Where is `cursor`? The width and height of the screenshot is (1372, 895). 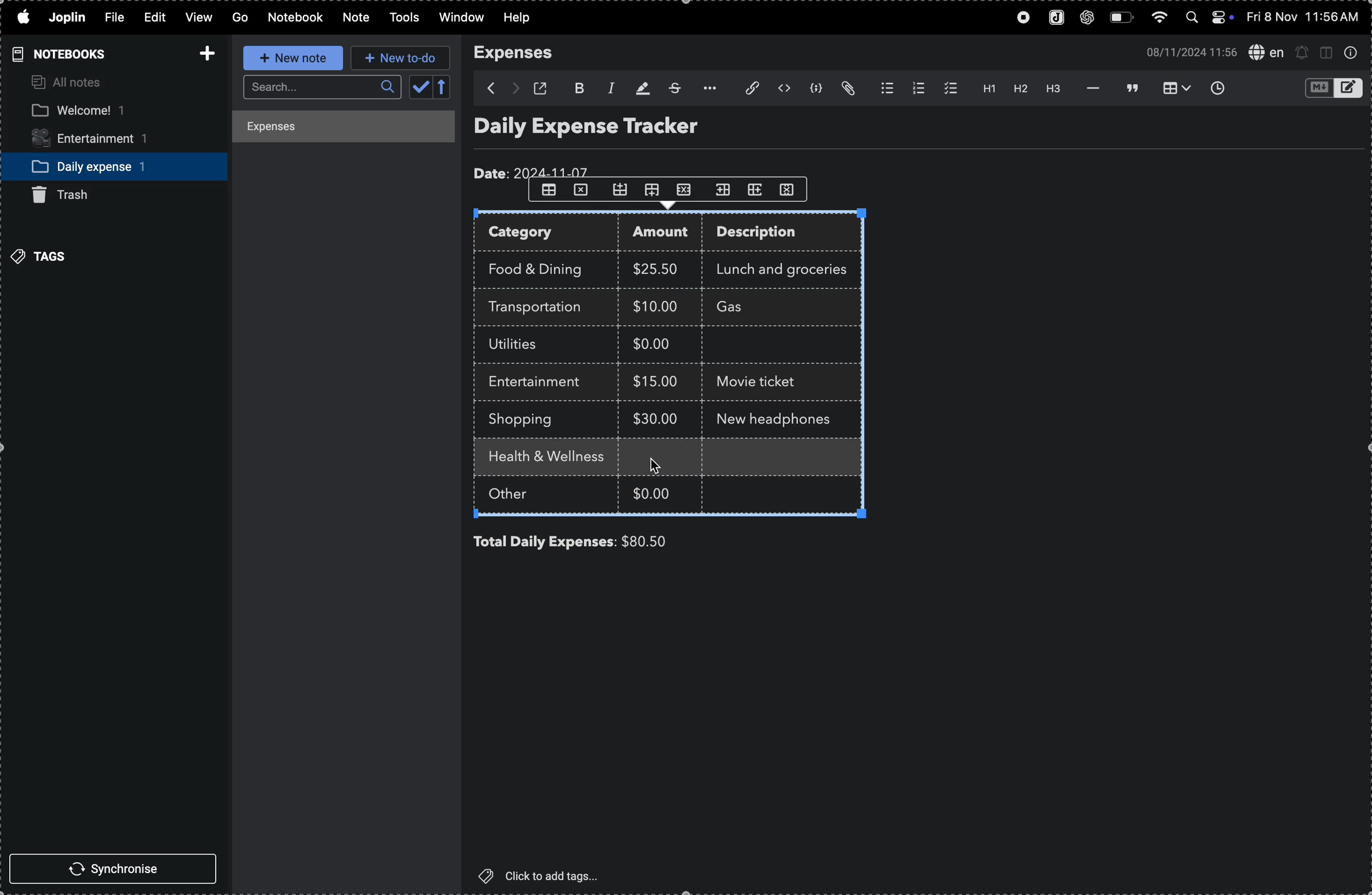 cursor is located at coordinates (657, 464).